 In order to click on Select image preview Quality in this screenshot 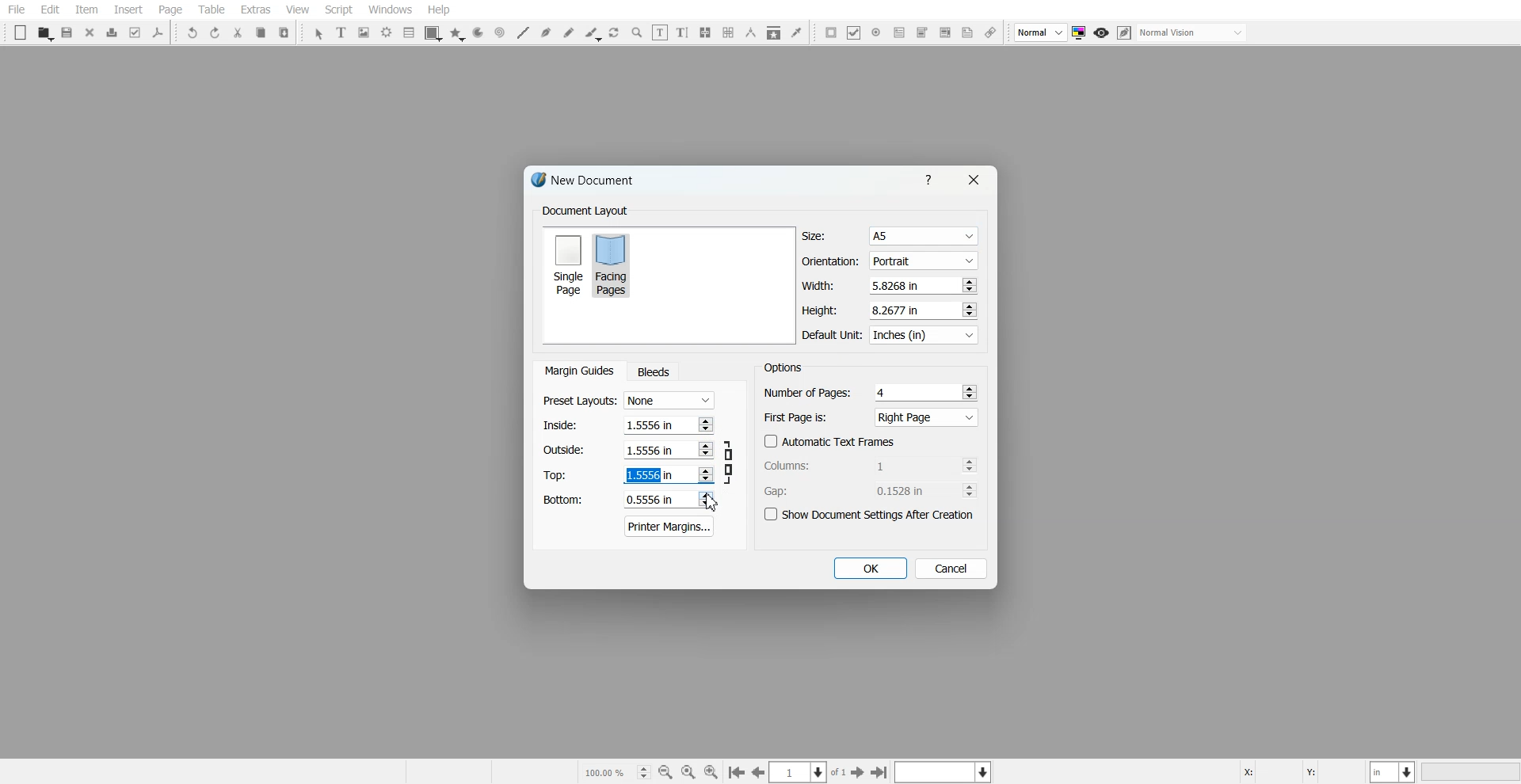, I will do `click(1041, 32)`.